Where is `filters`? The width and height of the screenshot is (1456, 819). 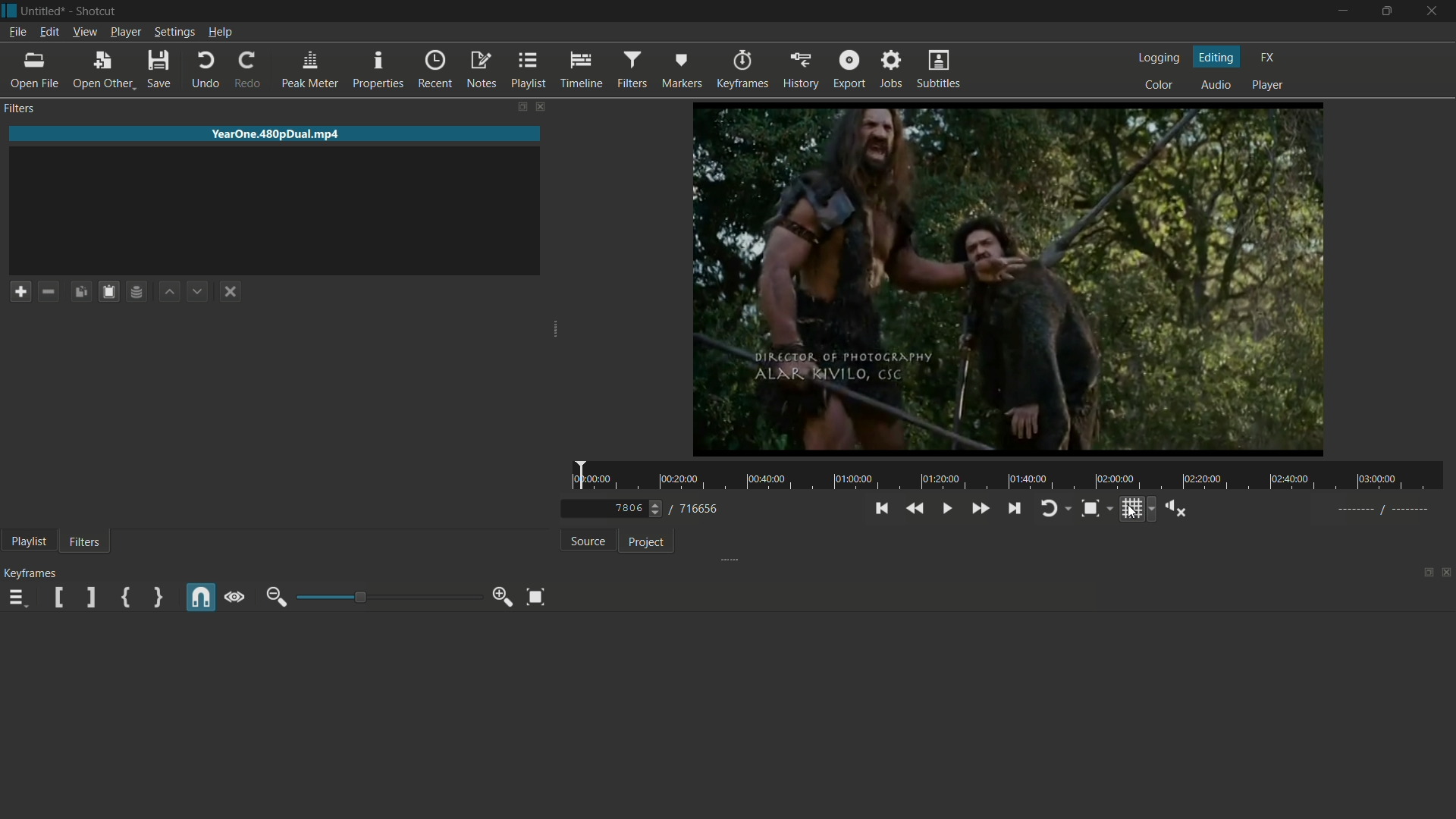 filters is located at coordinates (87, 541).